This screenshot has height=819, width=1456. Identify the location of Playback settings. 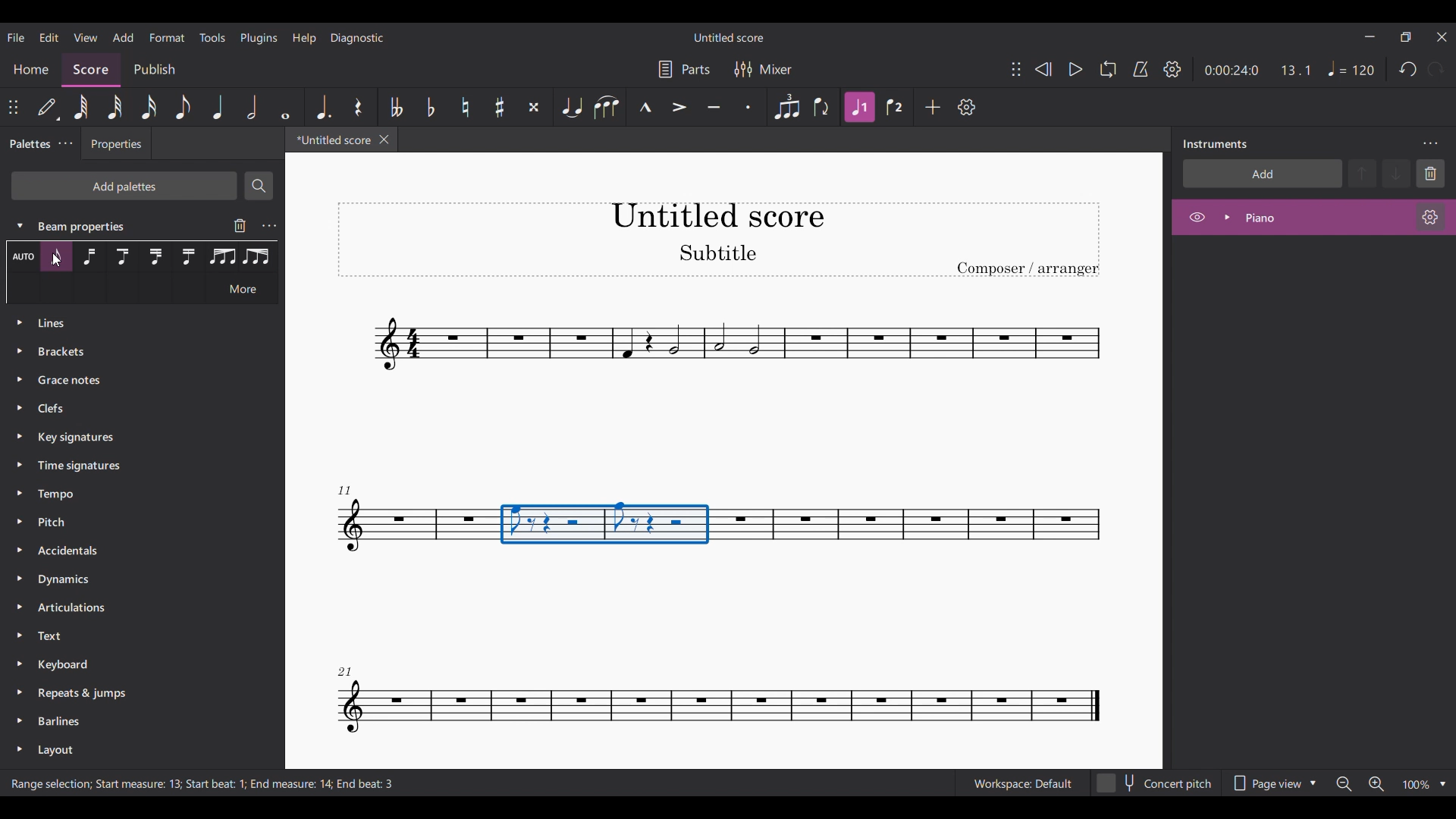
(1172, 69).